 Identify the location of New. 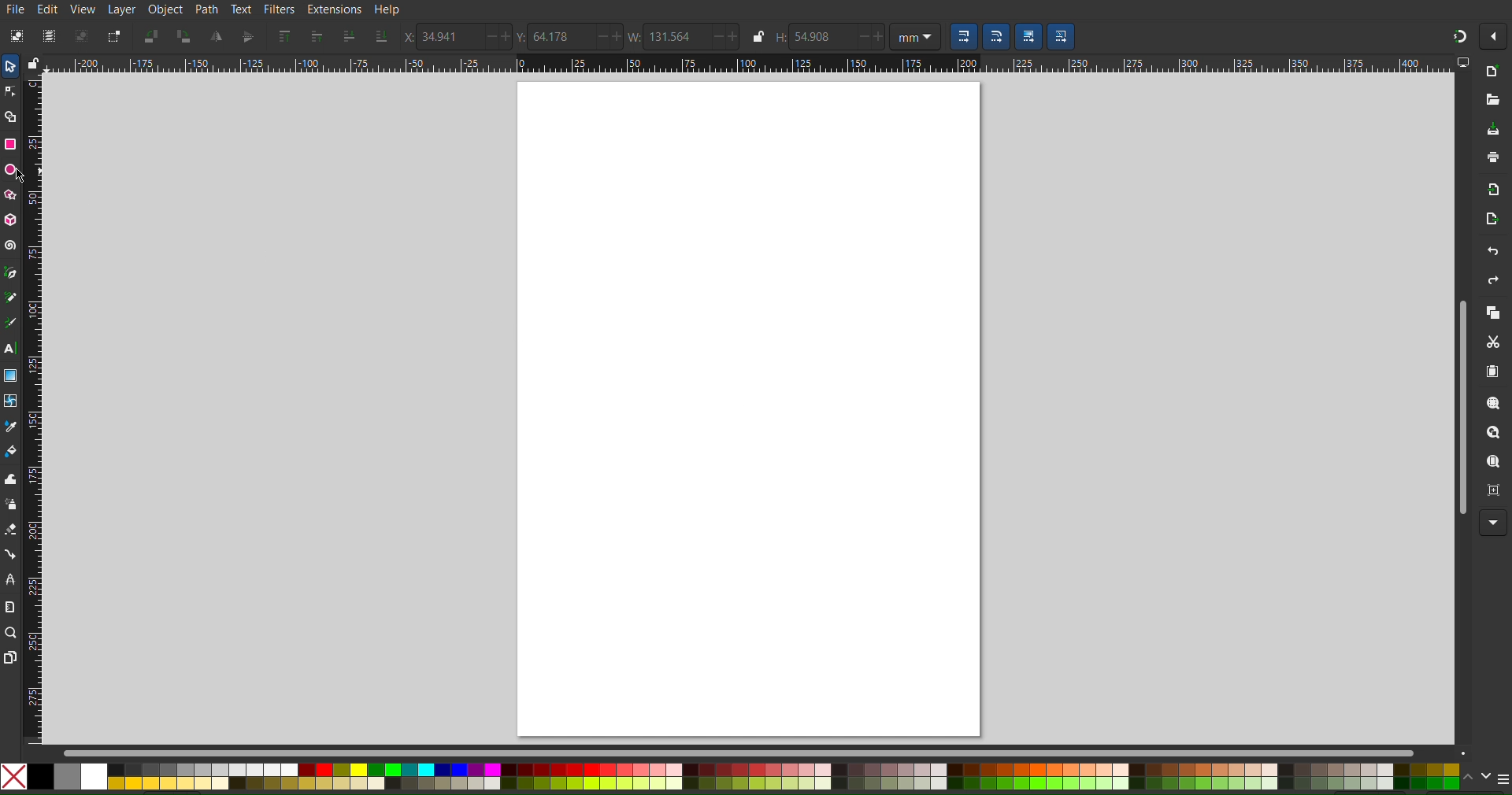
(1496, 76).